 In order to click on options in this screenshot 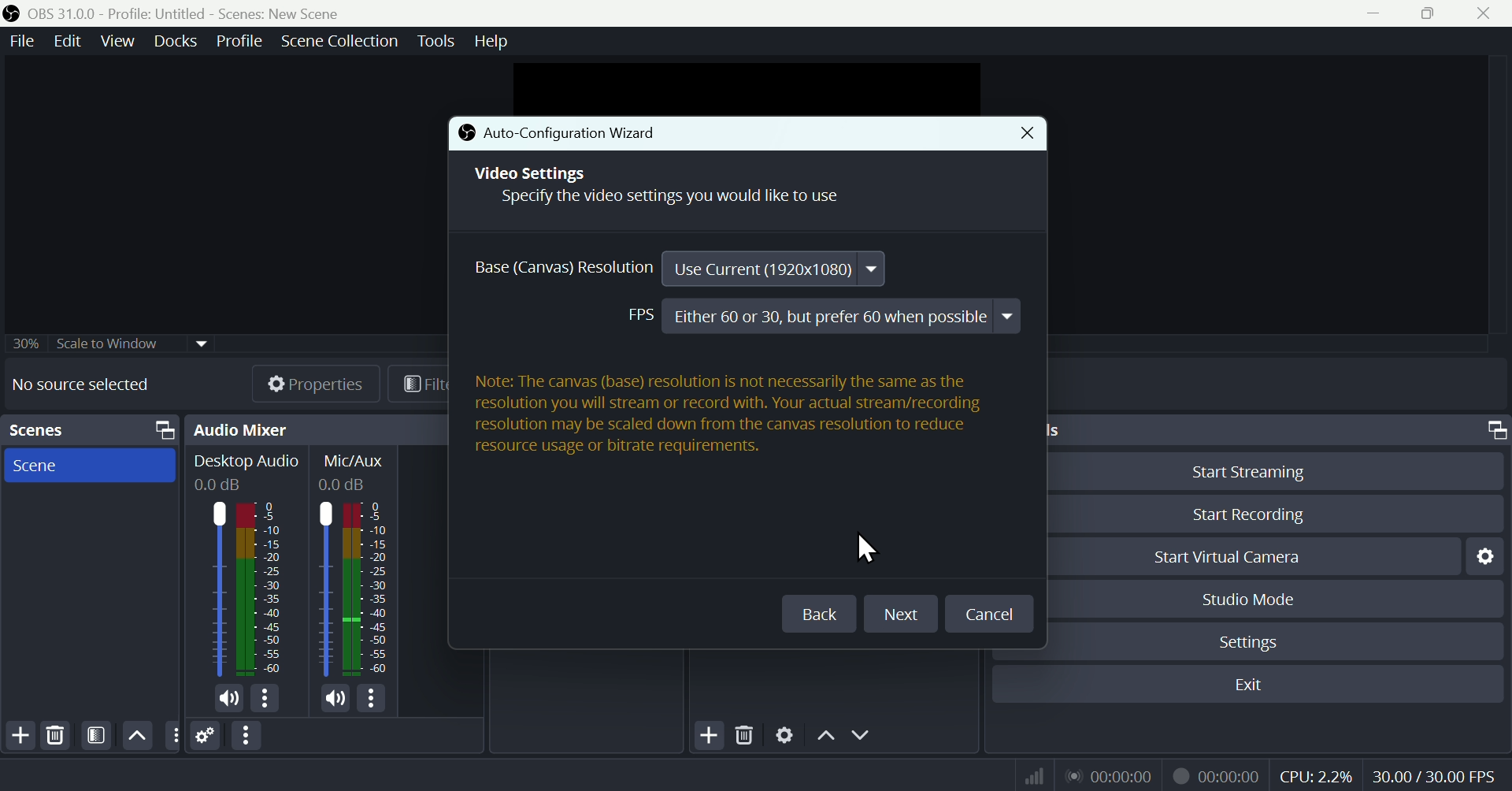, I will do `click(172, 734)`.